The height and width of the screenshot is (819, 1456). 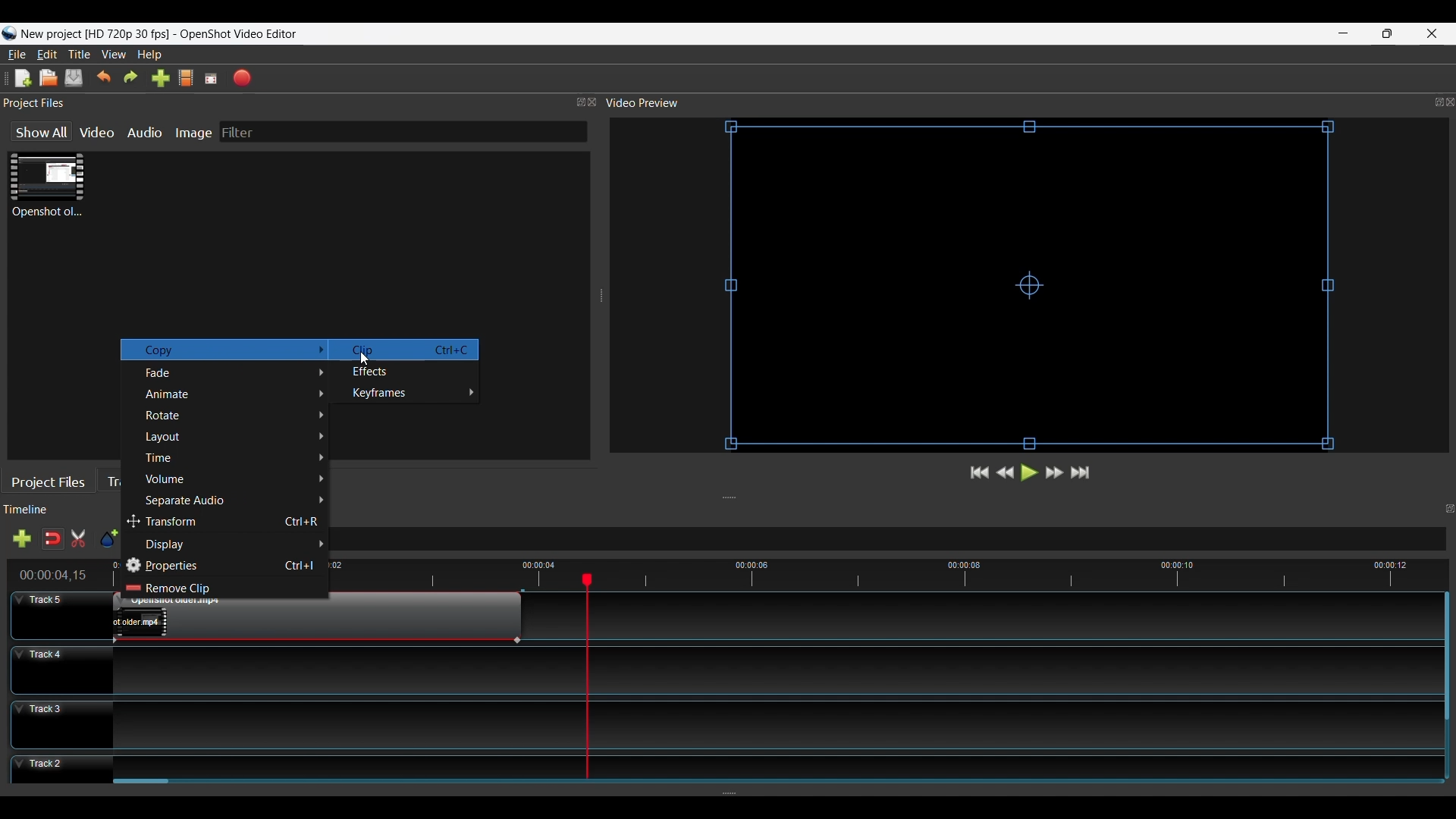 I want to click on Zoom Slider, so click(x=894, y=540).